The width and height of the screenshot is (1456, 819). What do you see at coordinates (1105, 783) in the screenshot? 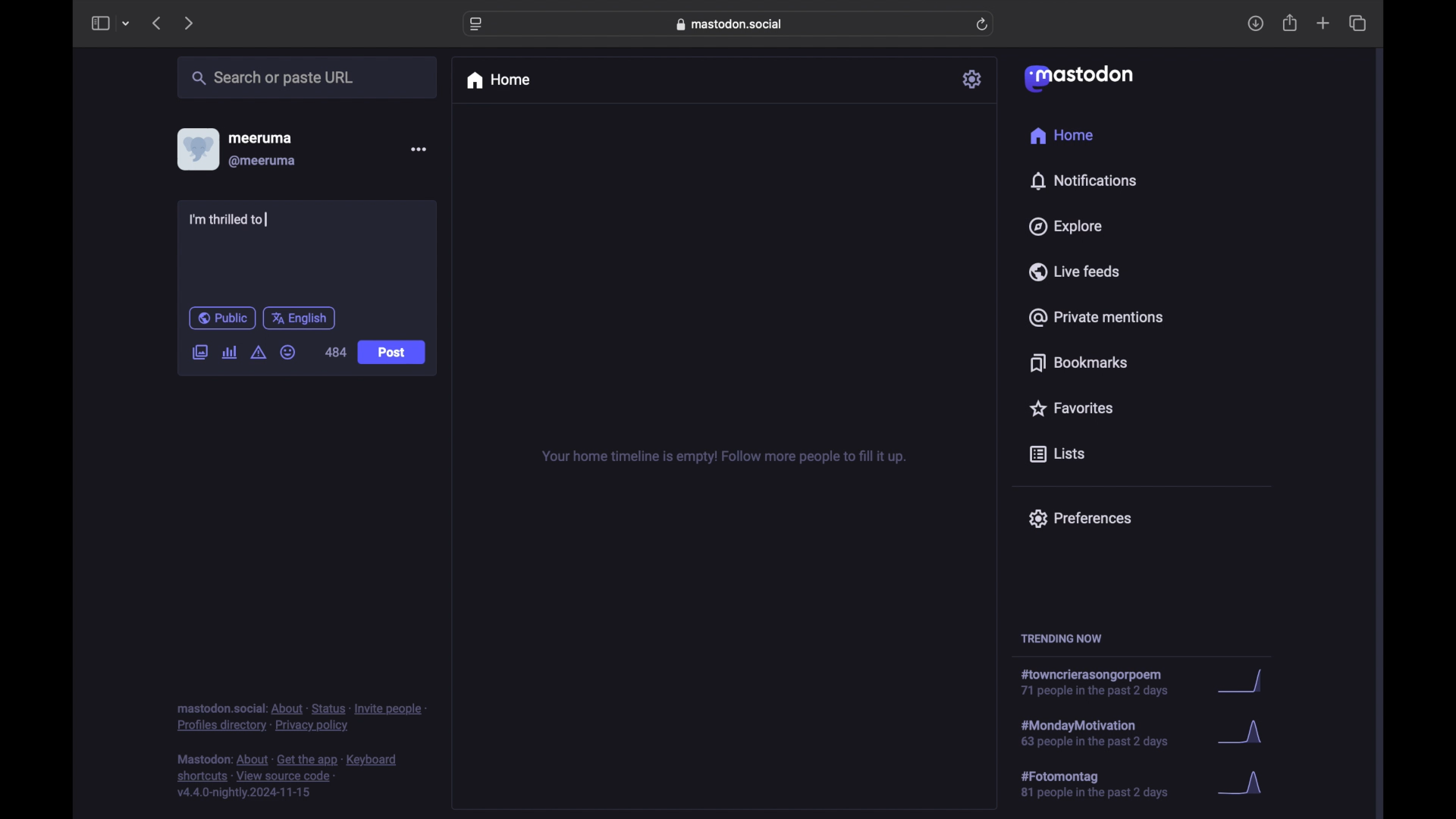
I see `hashtag trend` at bounding box center [1105, 783].